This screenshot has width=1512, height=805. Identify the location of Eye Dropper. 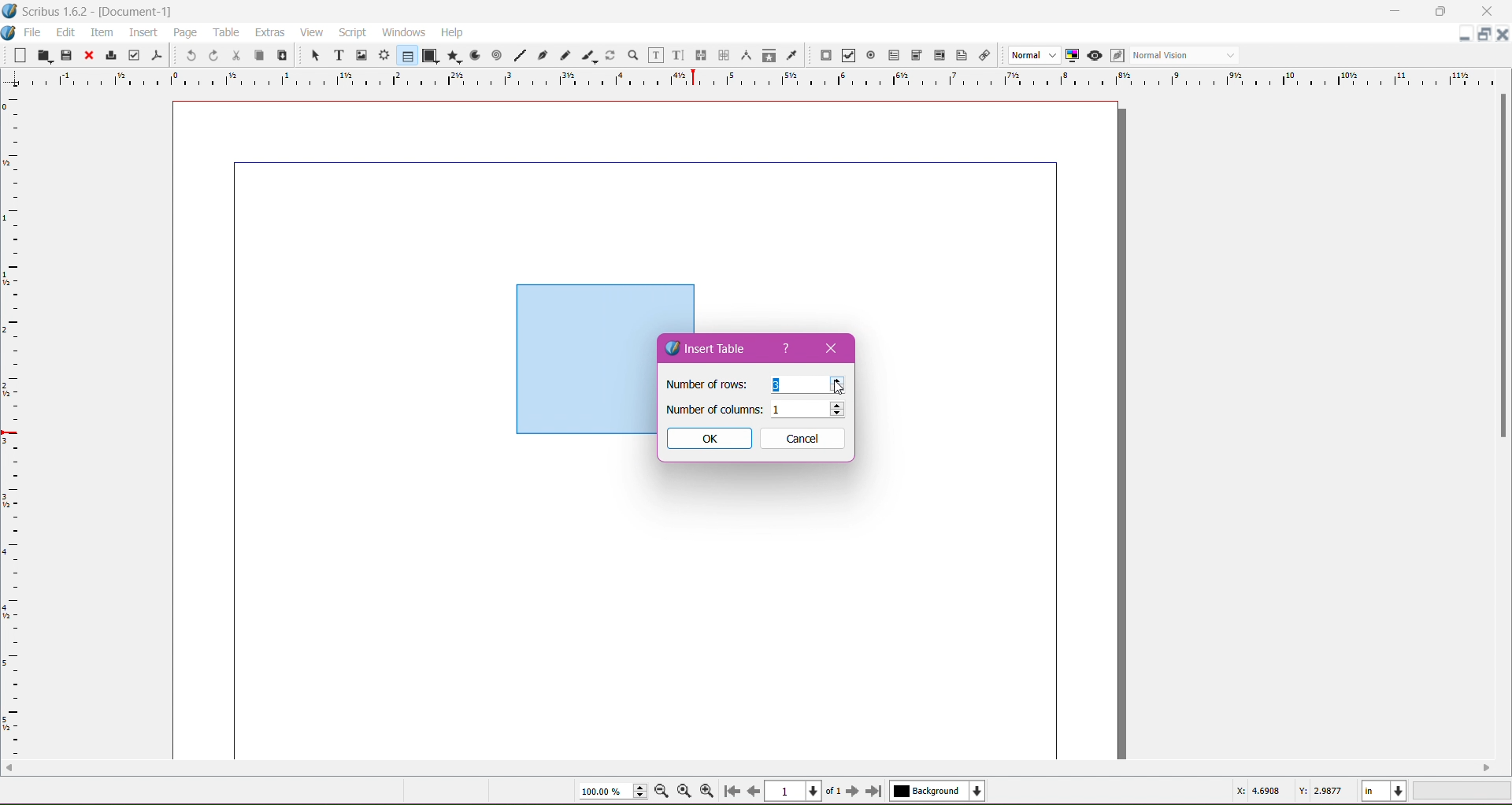
(791, 55).